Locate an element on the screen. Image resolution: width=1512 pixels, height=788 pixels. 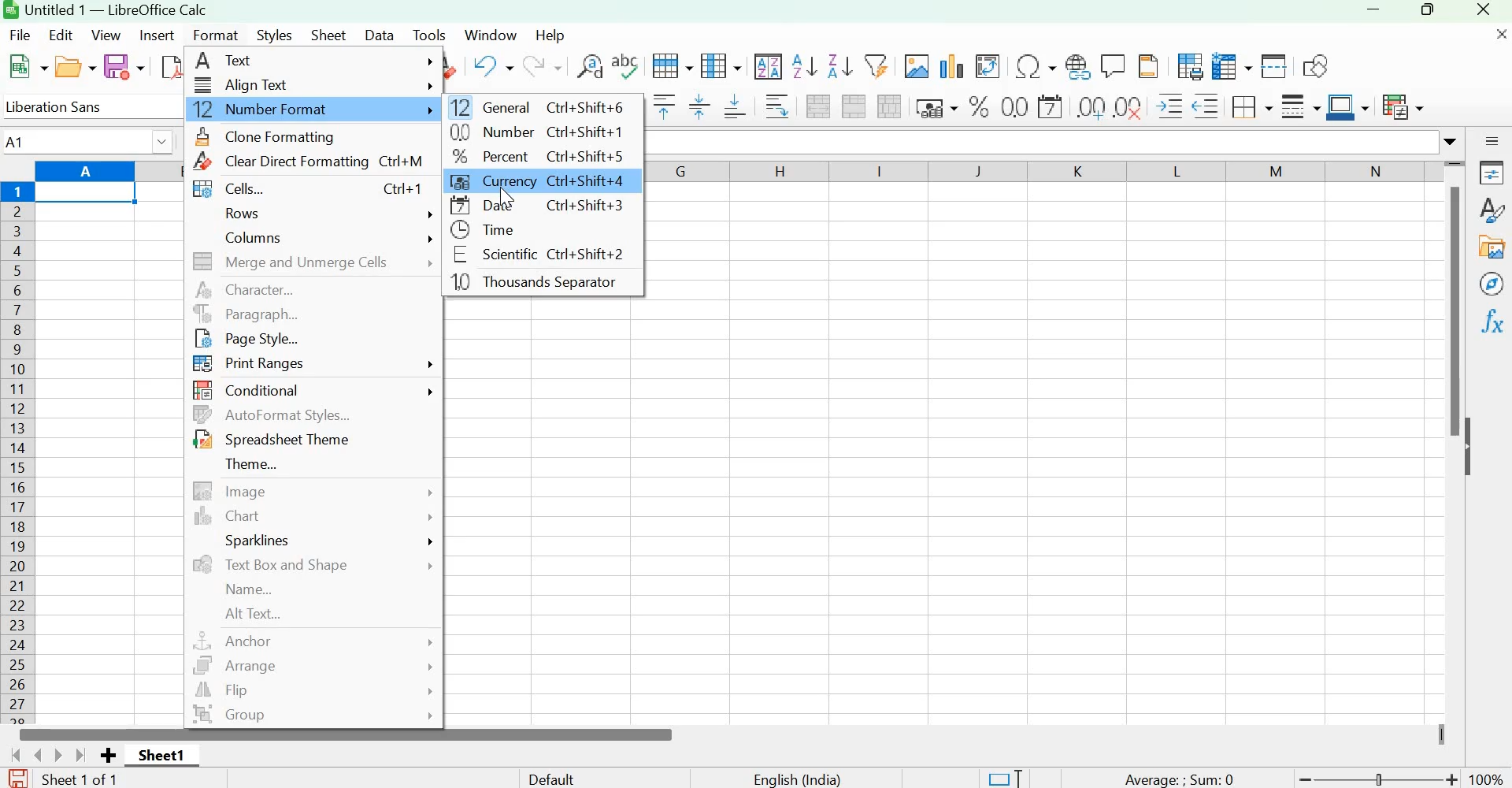
Alt Text is located at coordinates (254, 614).